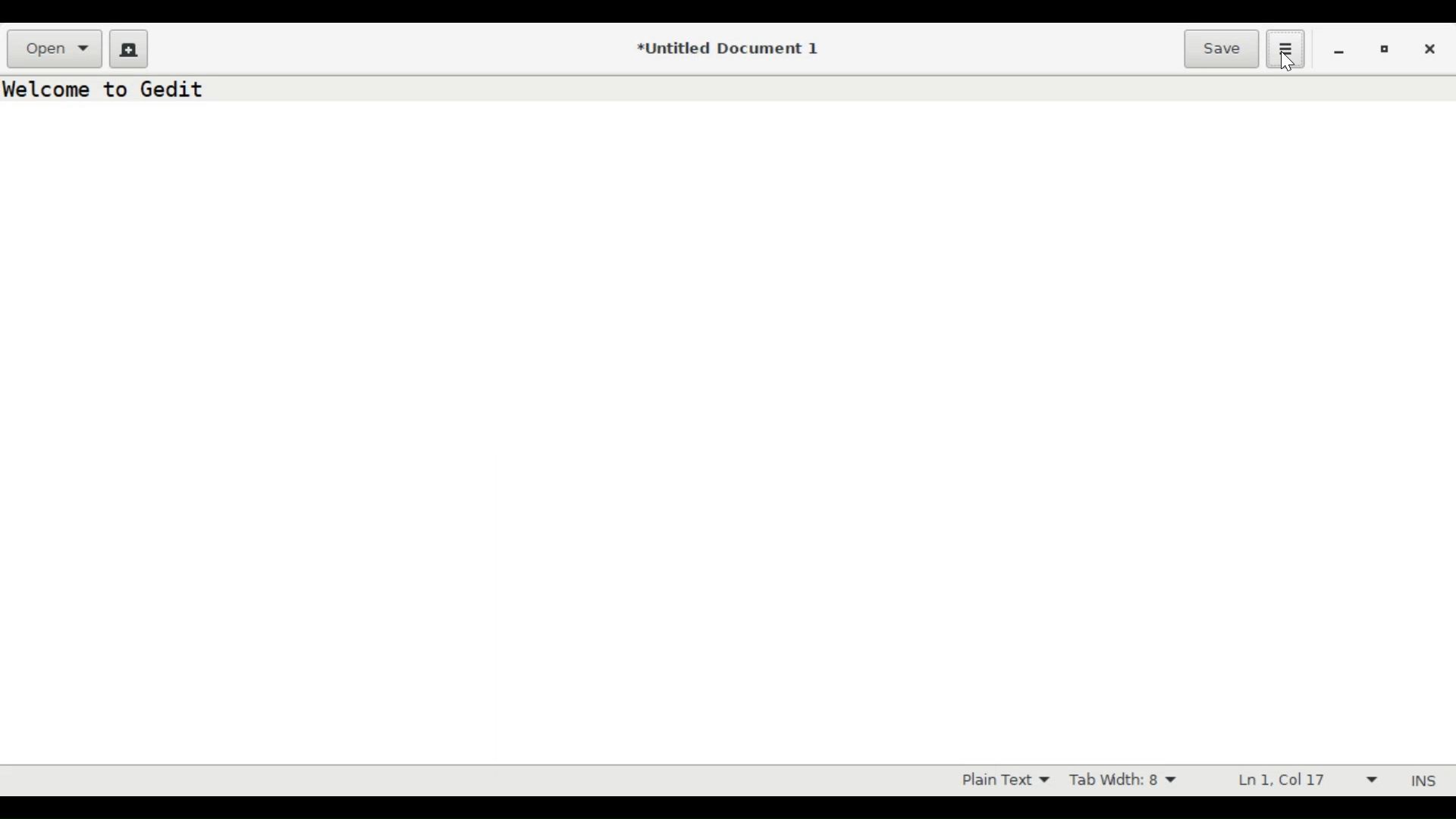  What do you see at coordinates (1382, 49) in the screenshot?
I see `Restore` at bounding box center [1382, 49].